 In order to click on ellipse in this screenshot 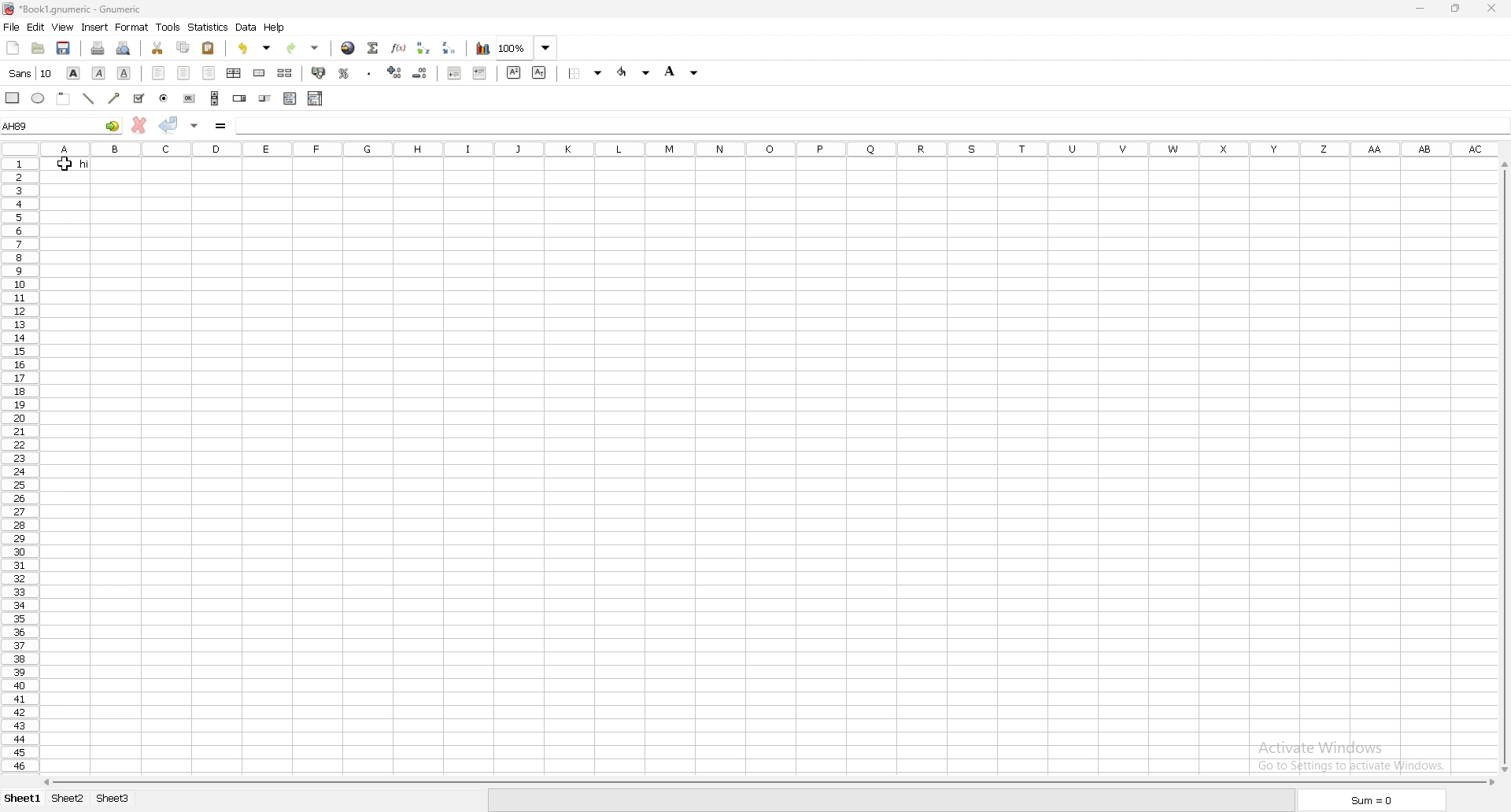, I will do `click(39, 98)`.